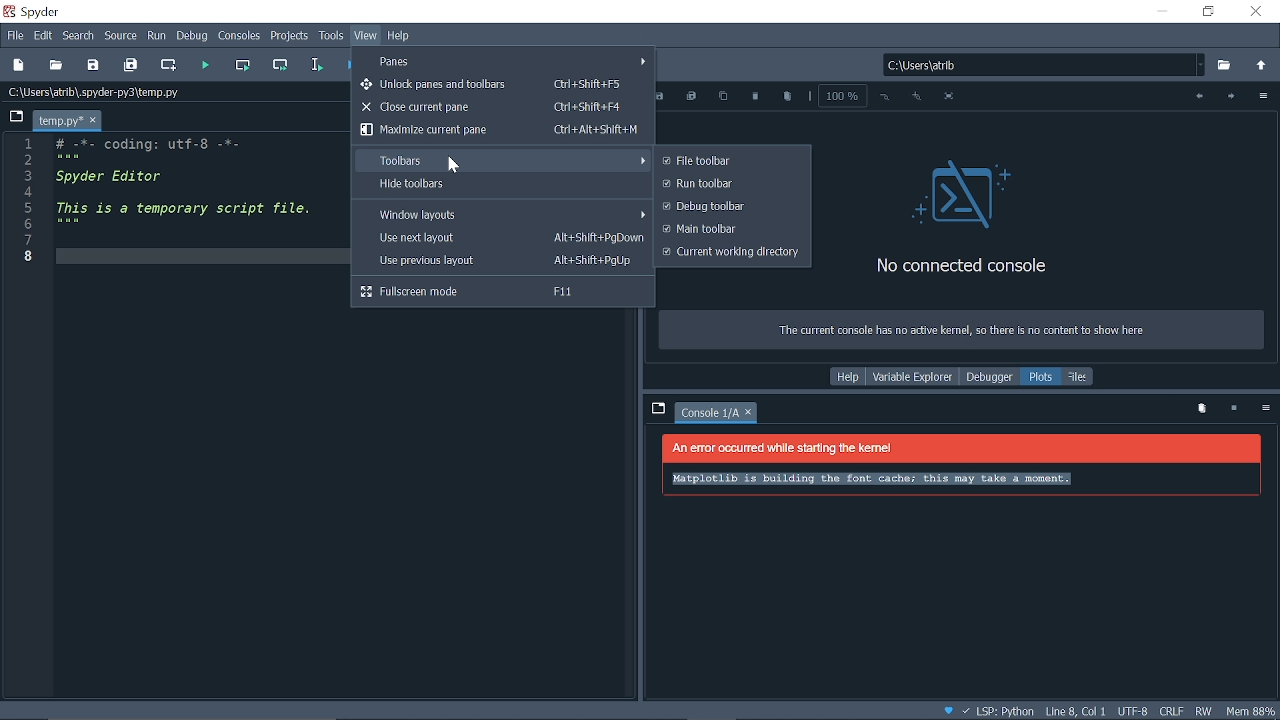 The height and width of the screenshot is (720, 1280). Describe the element at coordinates (1202, 409) in the screenshot. I see `Remove all variable from namepace` at that location.